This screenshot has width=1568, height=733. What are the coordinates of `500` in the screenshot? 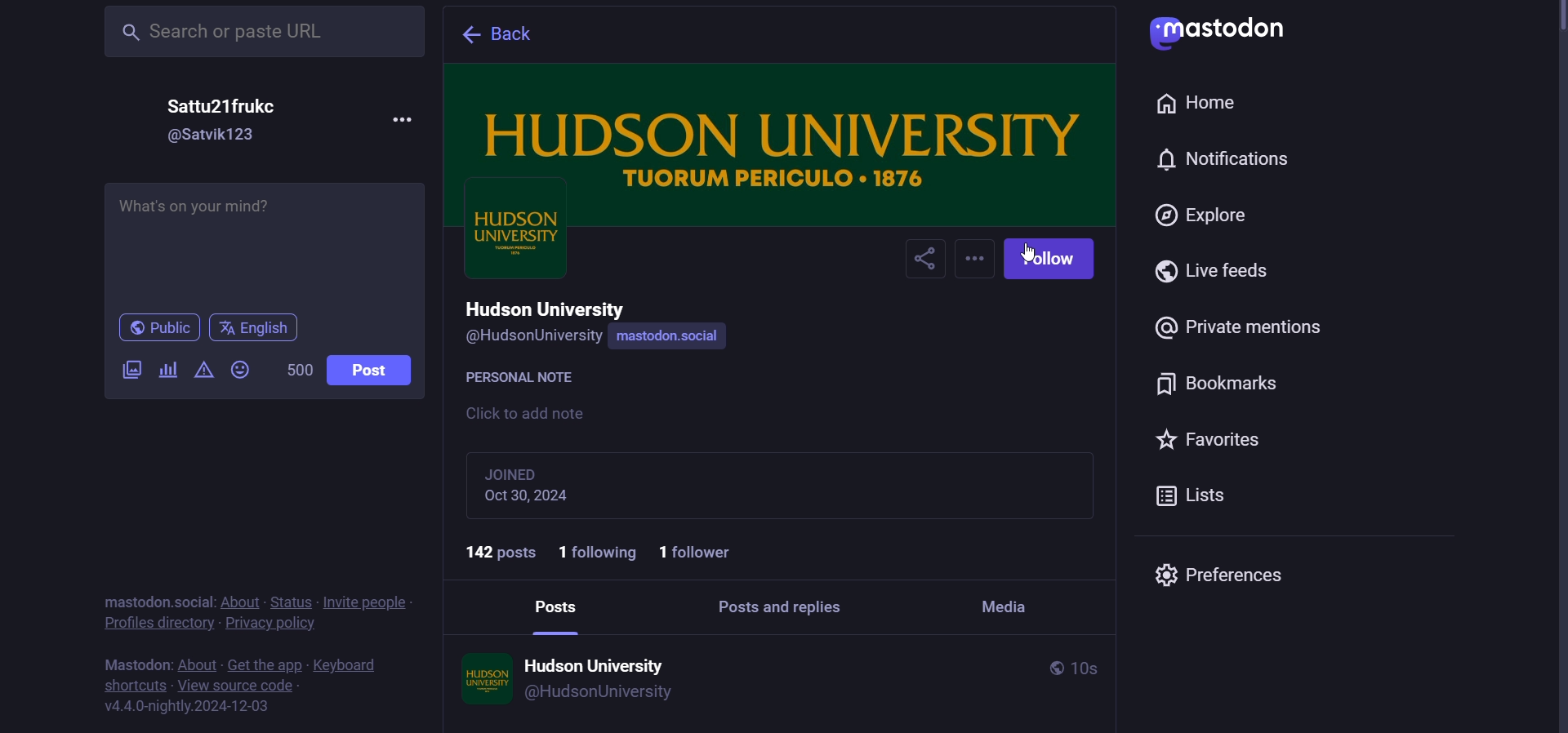 It's located at (298, 371).